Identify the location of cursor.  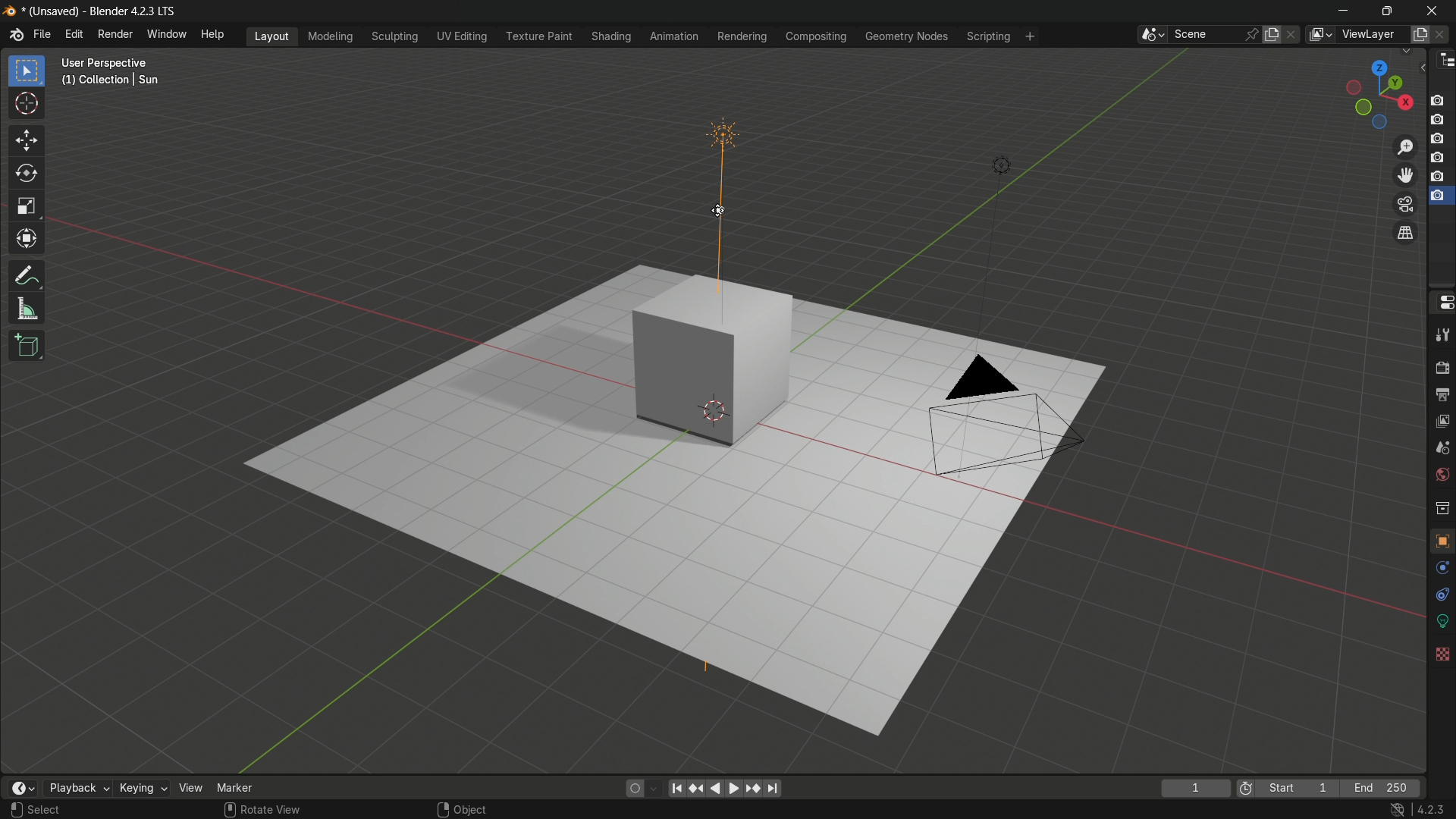
(27, 107).